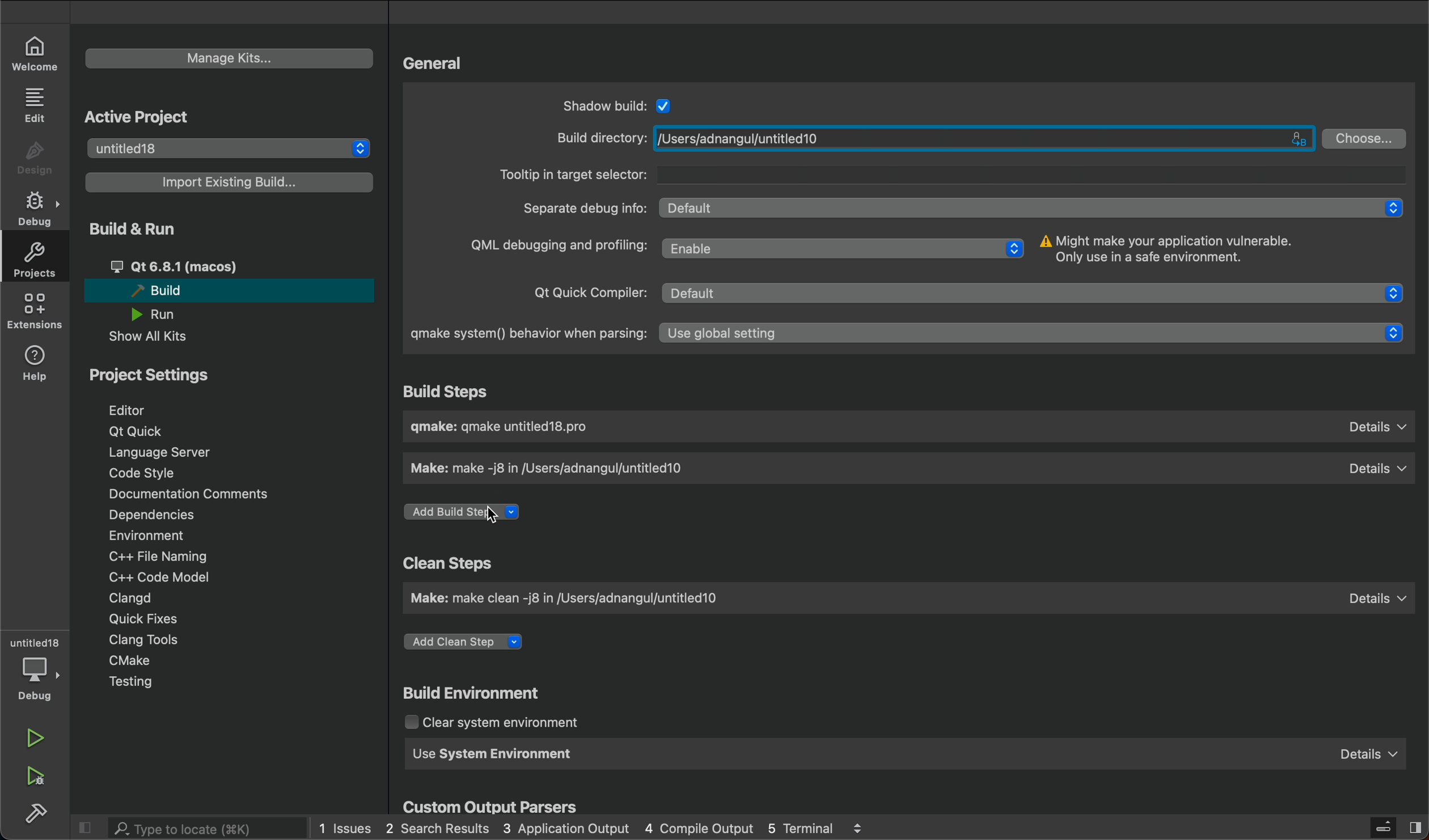 The height and width of the screenshot is (840, 1429). Describe the element at coordinates (143, 117) in the screenshot. I see `Active Project` at that location.